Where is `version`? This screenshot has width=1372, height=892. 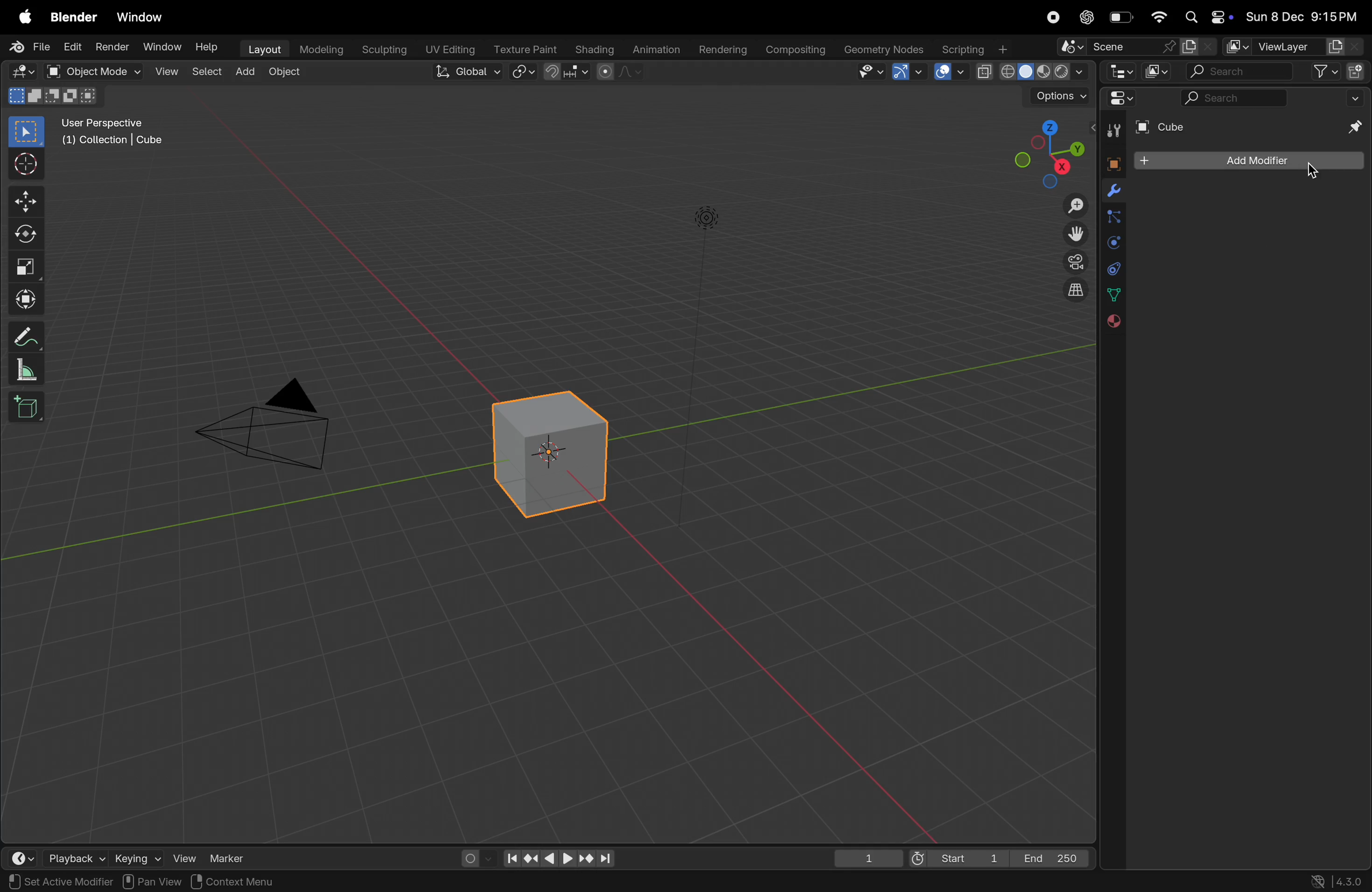
version is located at coordinates (1338, 880).